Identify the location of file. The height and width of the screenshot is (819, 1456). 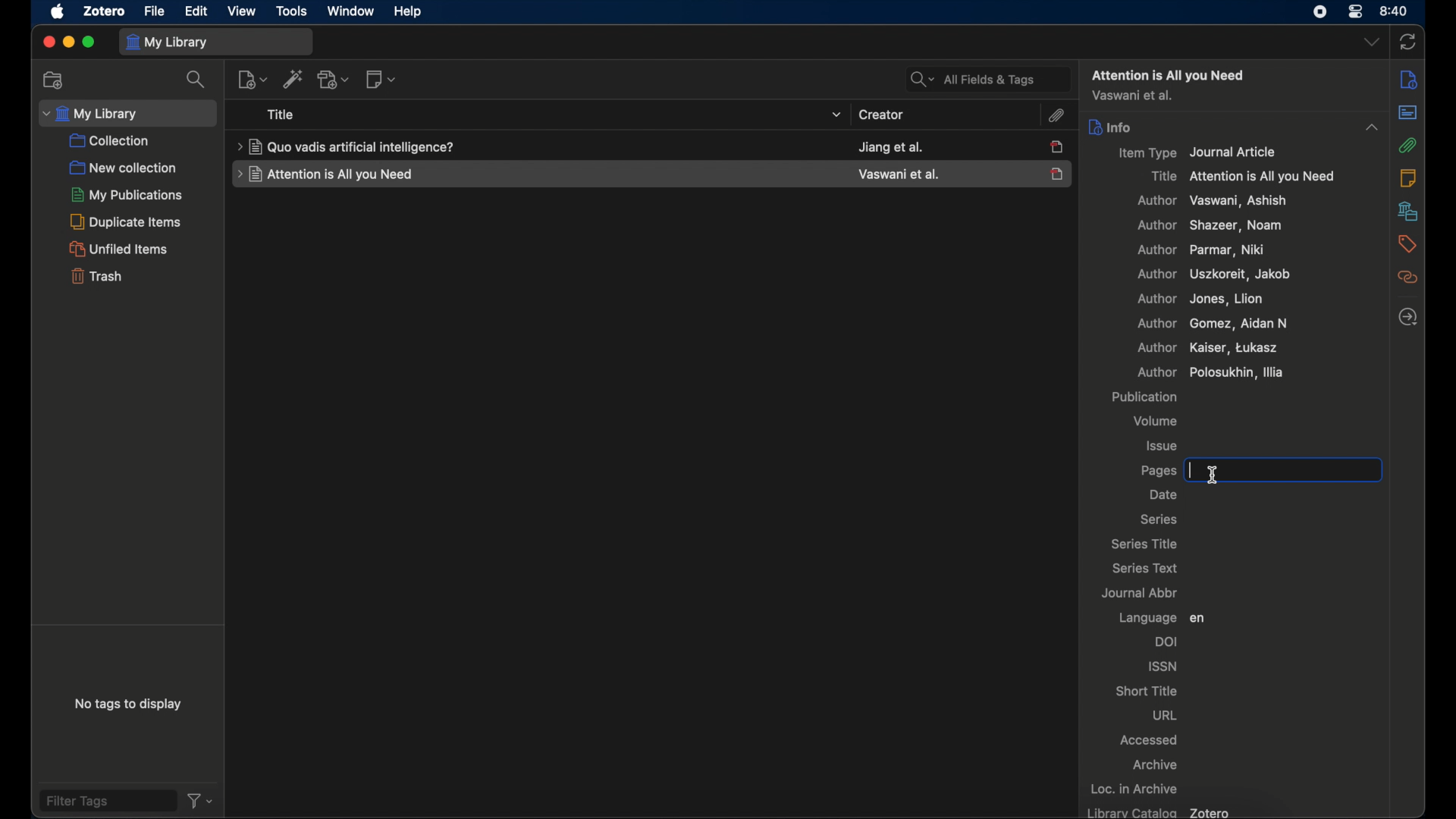
(154, 11).